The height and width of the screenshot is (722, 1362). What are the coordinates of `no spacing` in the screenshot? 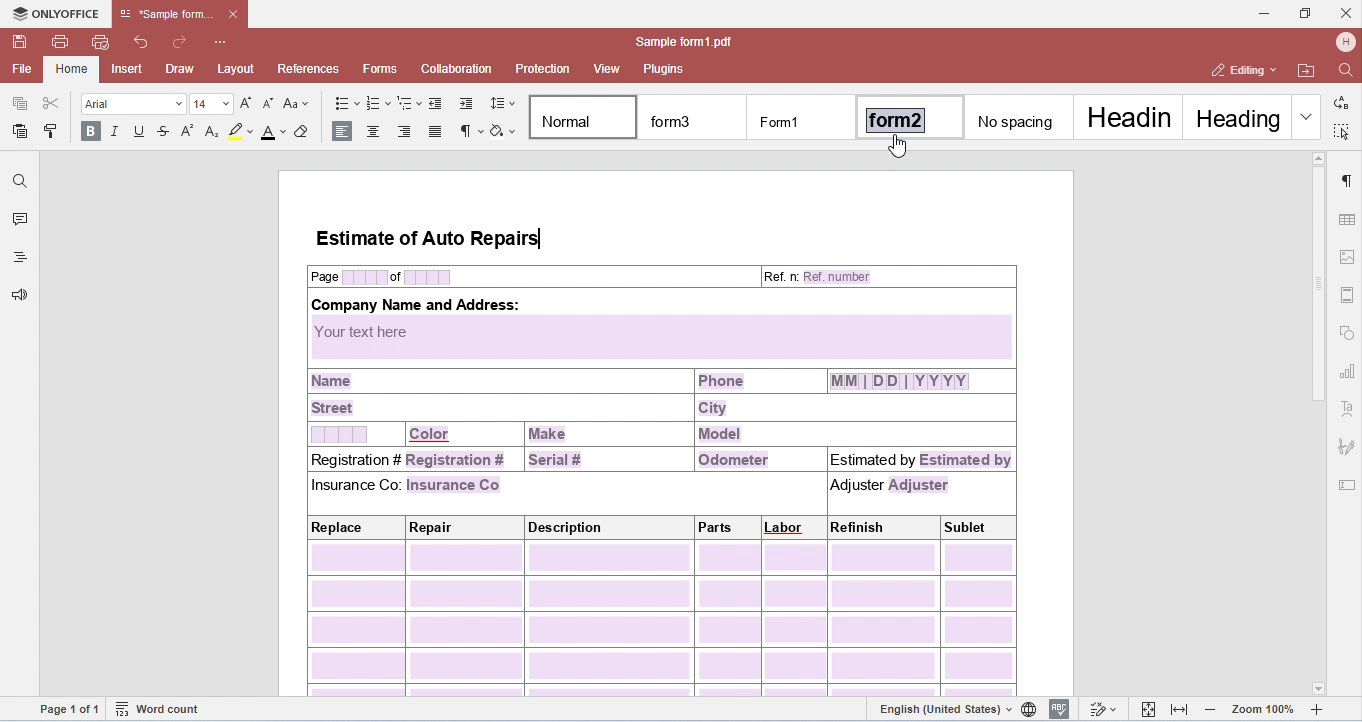 It's located at (1022, 116).